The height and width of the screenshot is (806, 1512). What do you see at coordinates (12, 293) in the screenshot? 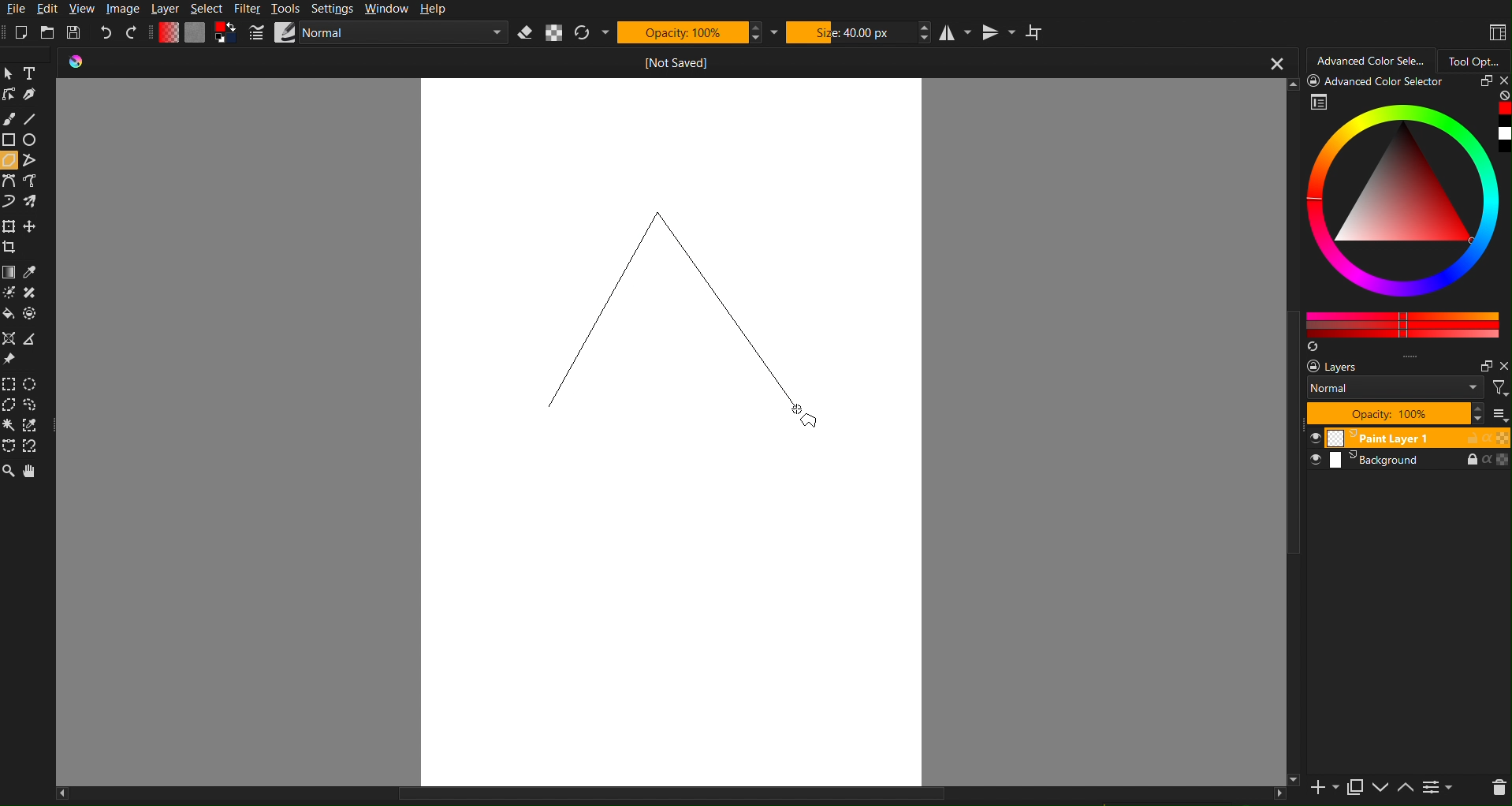
I see `colorize mask tool` at bounding box center [12, 293].